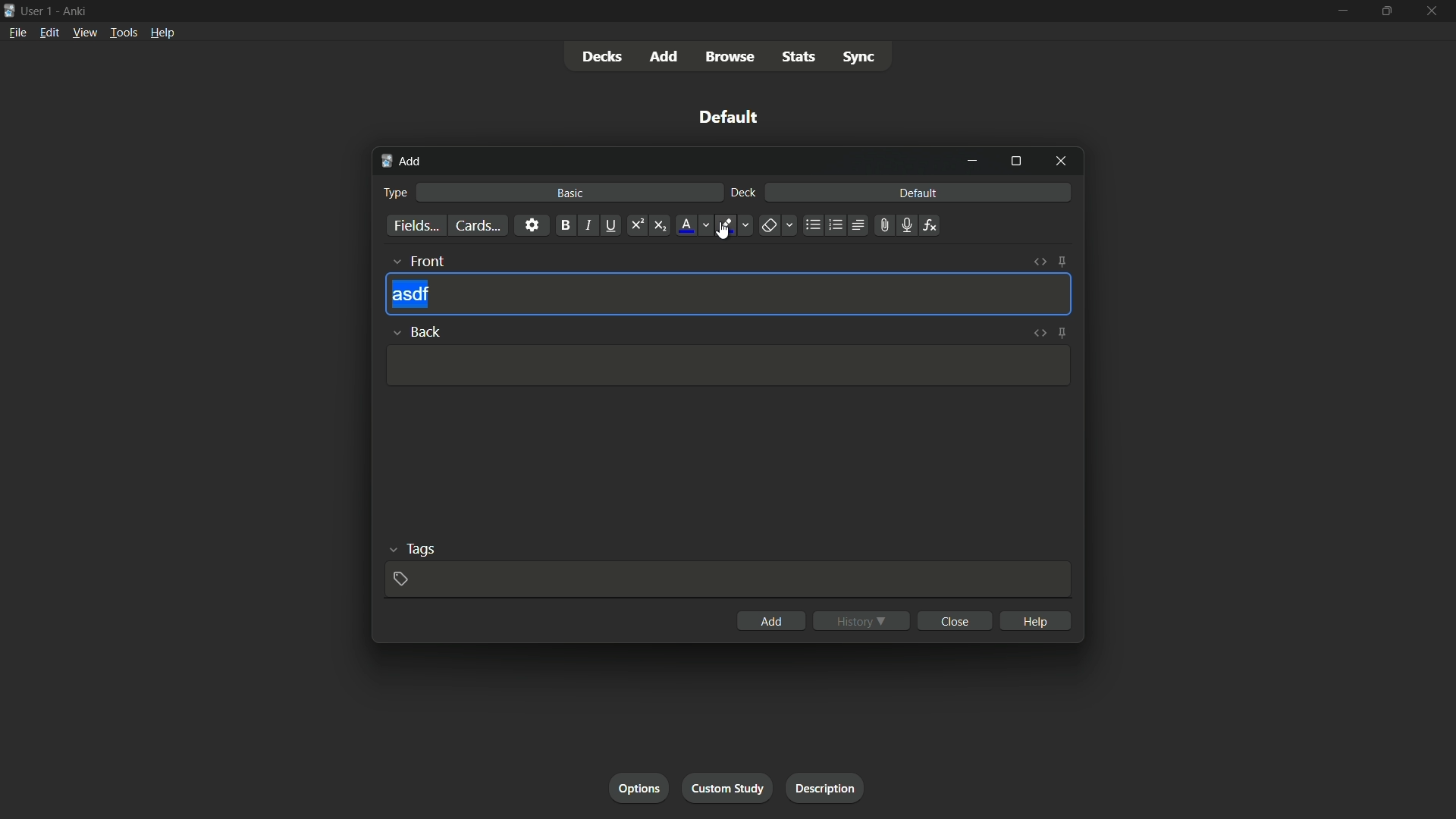 Image resolution: width=1456 pixels, height=819 pixels. Describe the element at coordinates (920, 193) in the screenshot. I see `default` at that location.